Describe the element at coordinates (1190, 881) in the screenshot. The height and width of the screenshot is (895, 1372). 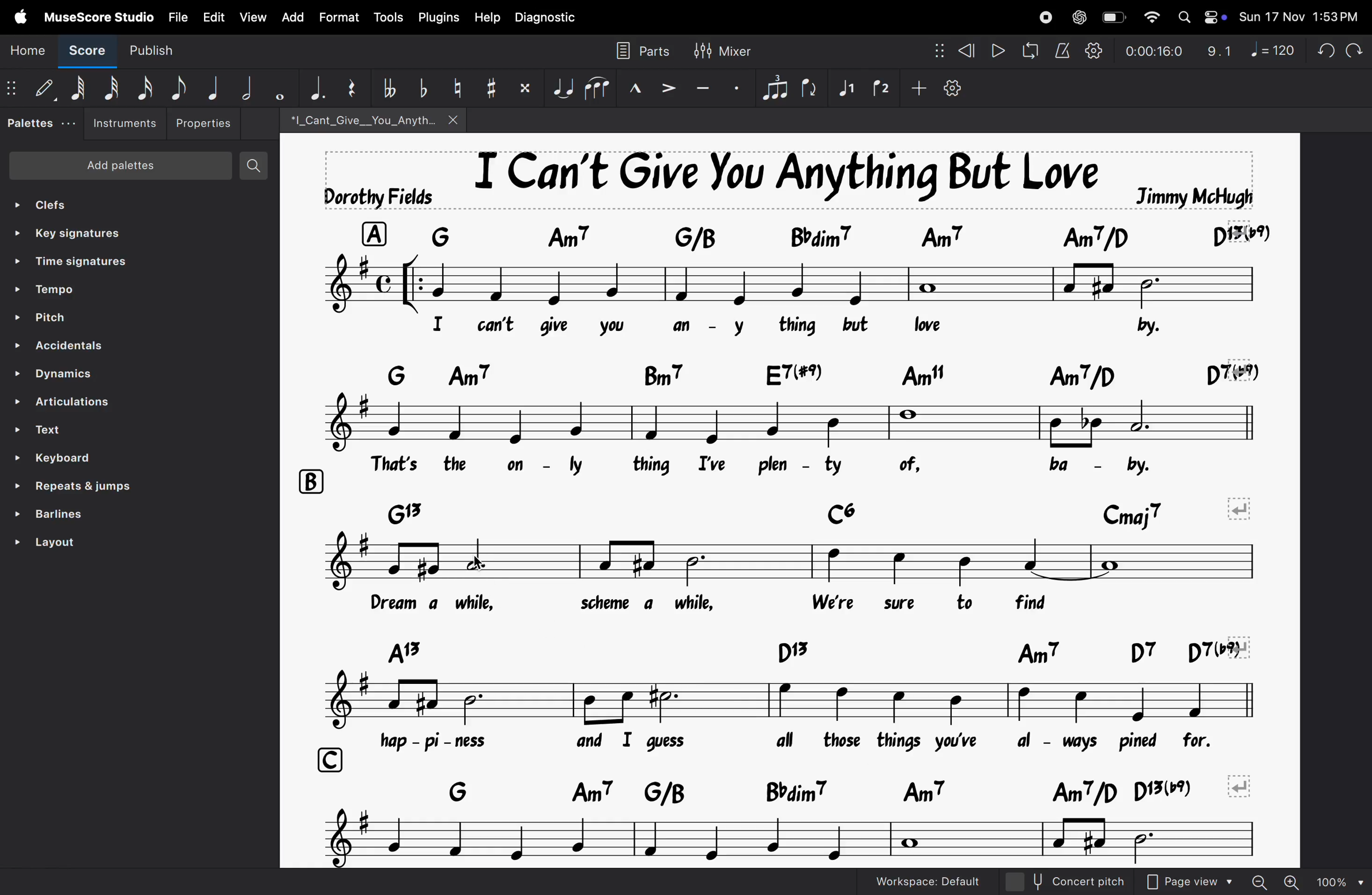
I see `Page view` at that location.